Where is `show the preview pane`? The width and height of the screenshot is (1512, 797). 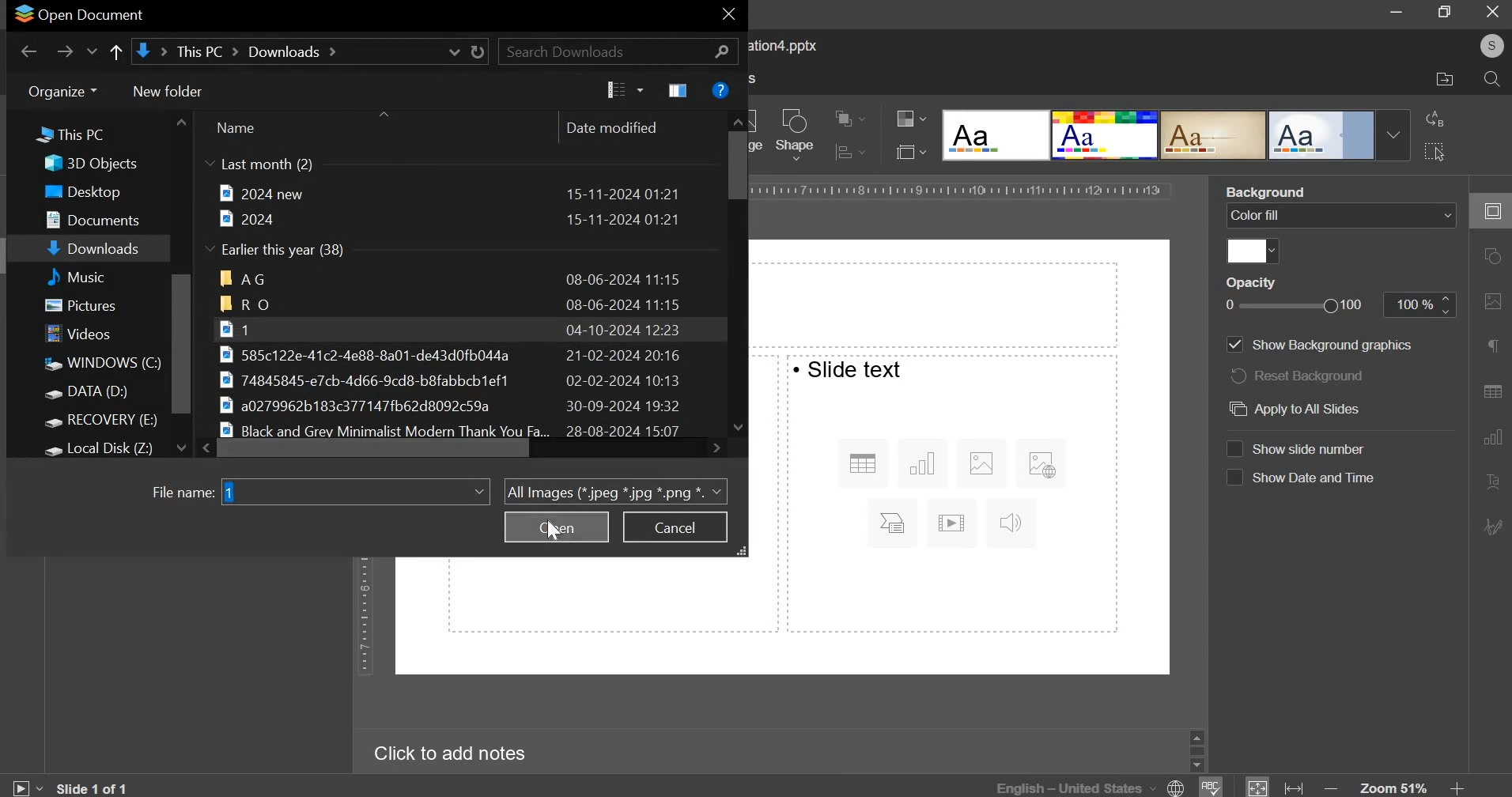
show the preview pane is located at coordinates (680, 90).